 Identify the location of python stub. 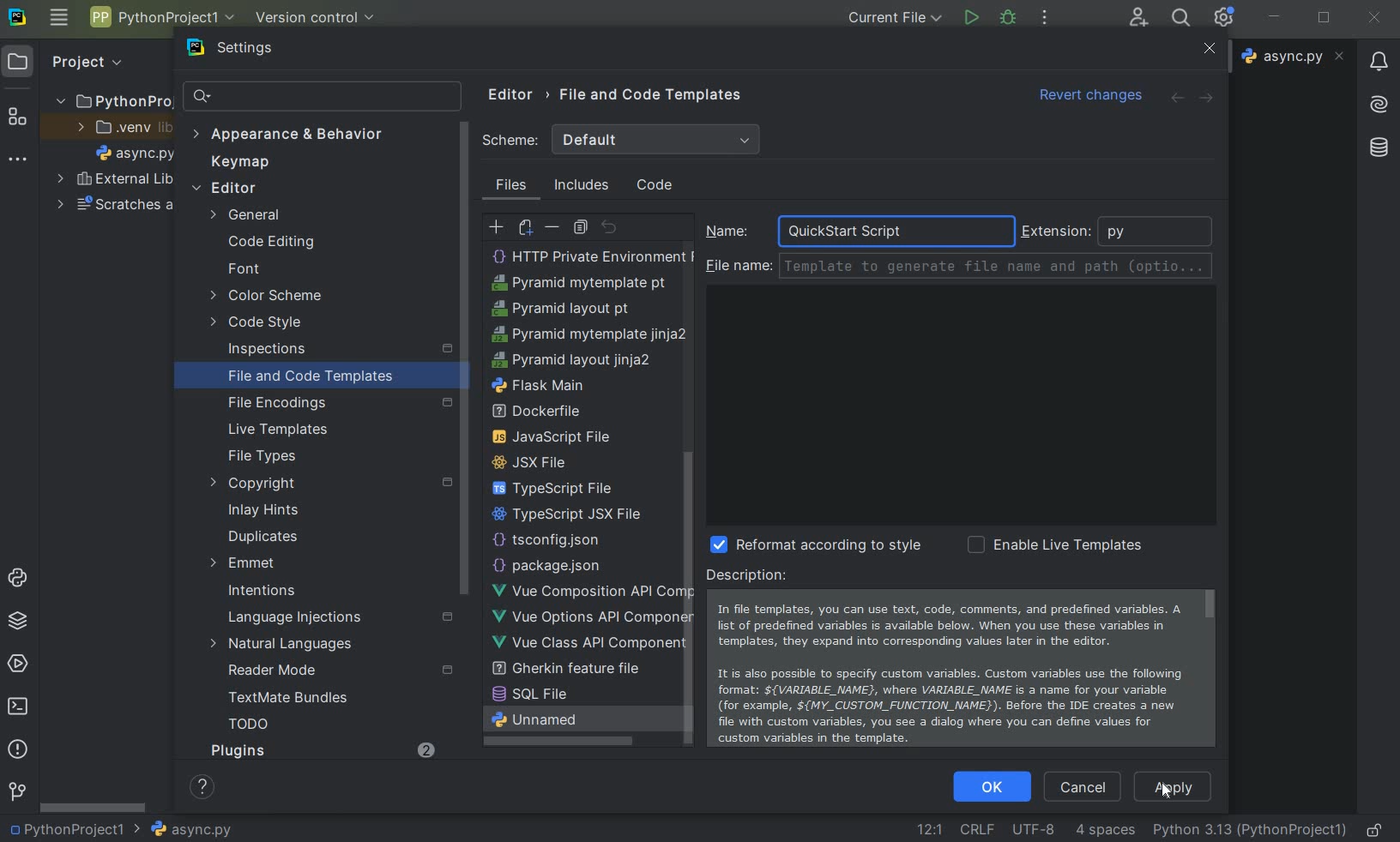
(543, 386).